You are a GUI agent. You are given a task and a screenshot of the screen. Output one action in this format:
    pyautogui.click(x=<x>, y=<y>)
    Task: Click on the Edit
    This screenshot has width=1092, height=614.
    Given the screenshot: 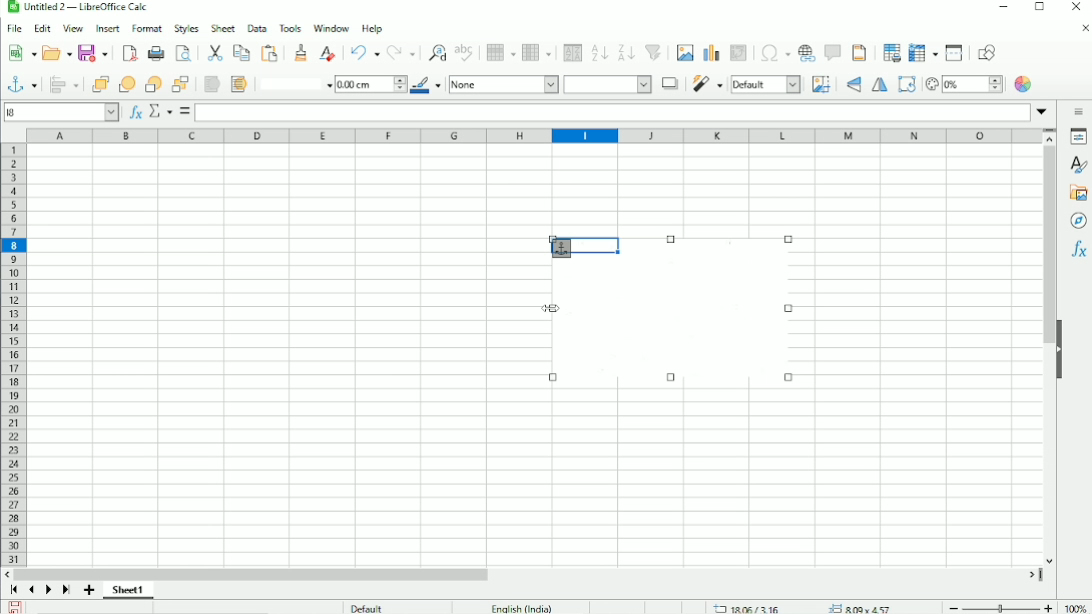 What is the action you would take?
    pyautogui.click(x=42, y=29)
    